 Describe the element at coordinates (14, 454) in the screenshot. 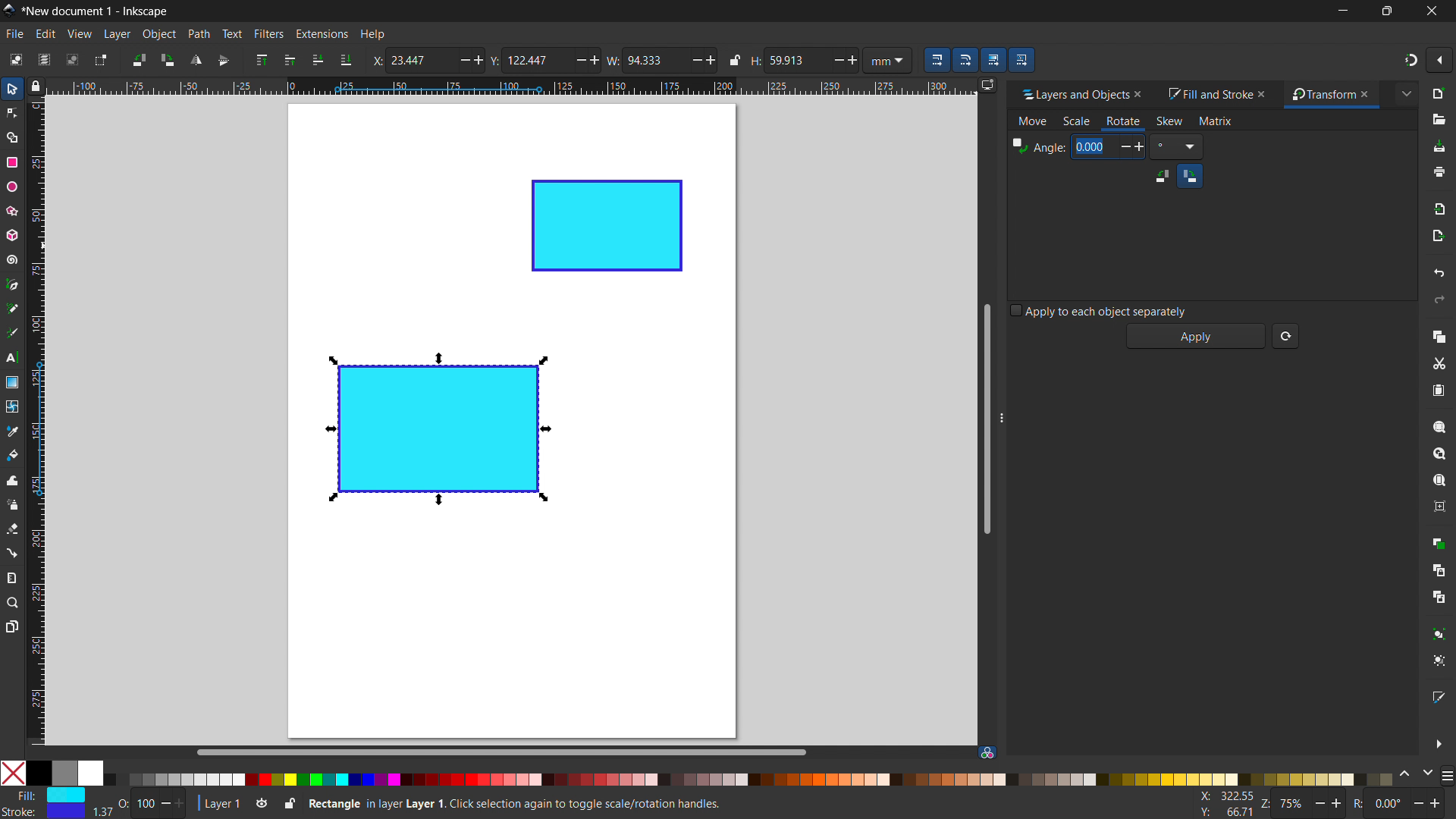

I see `paint bucket tool` at that location.